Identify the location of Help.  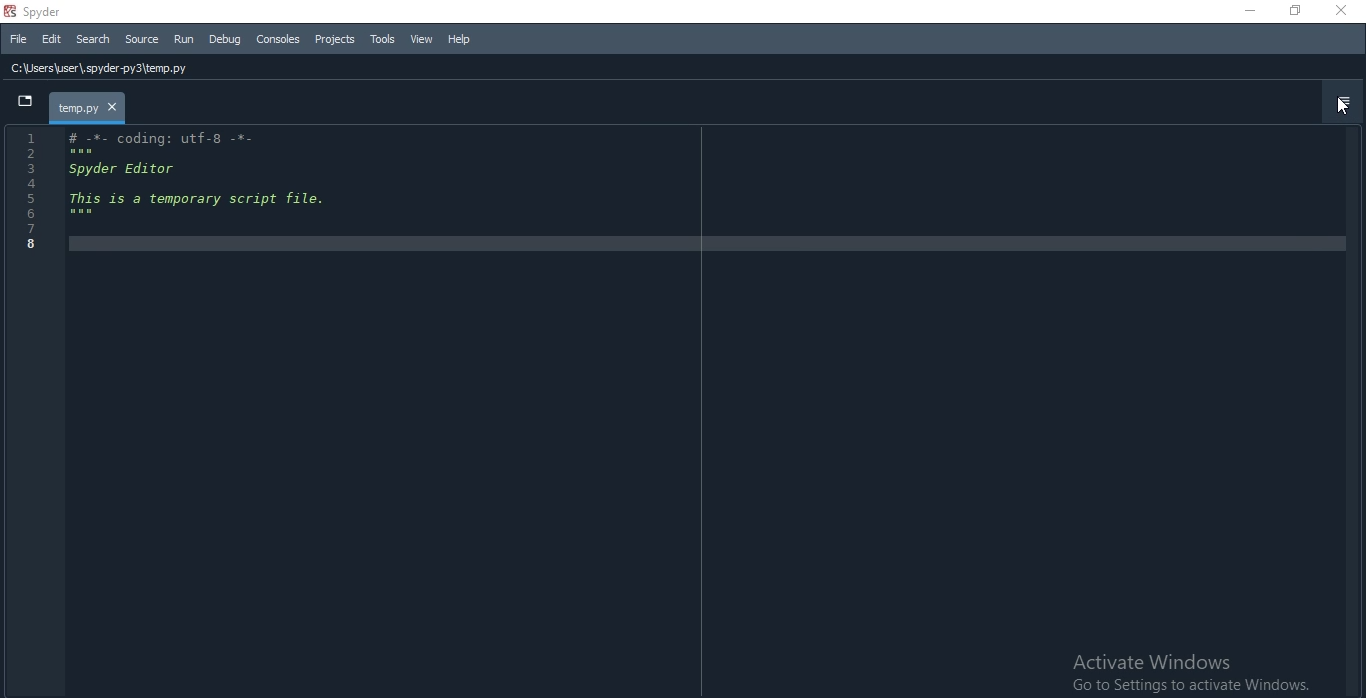
(460, 40).